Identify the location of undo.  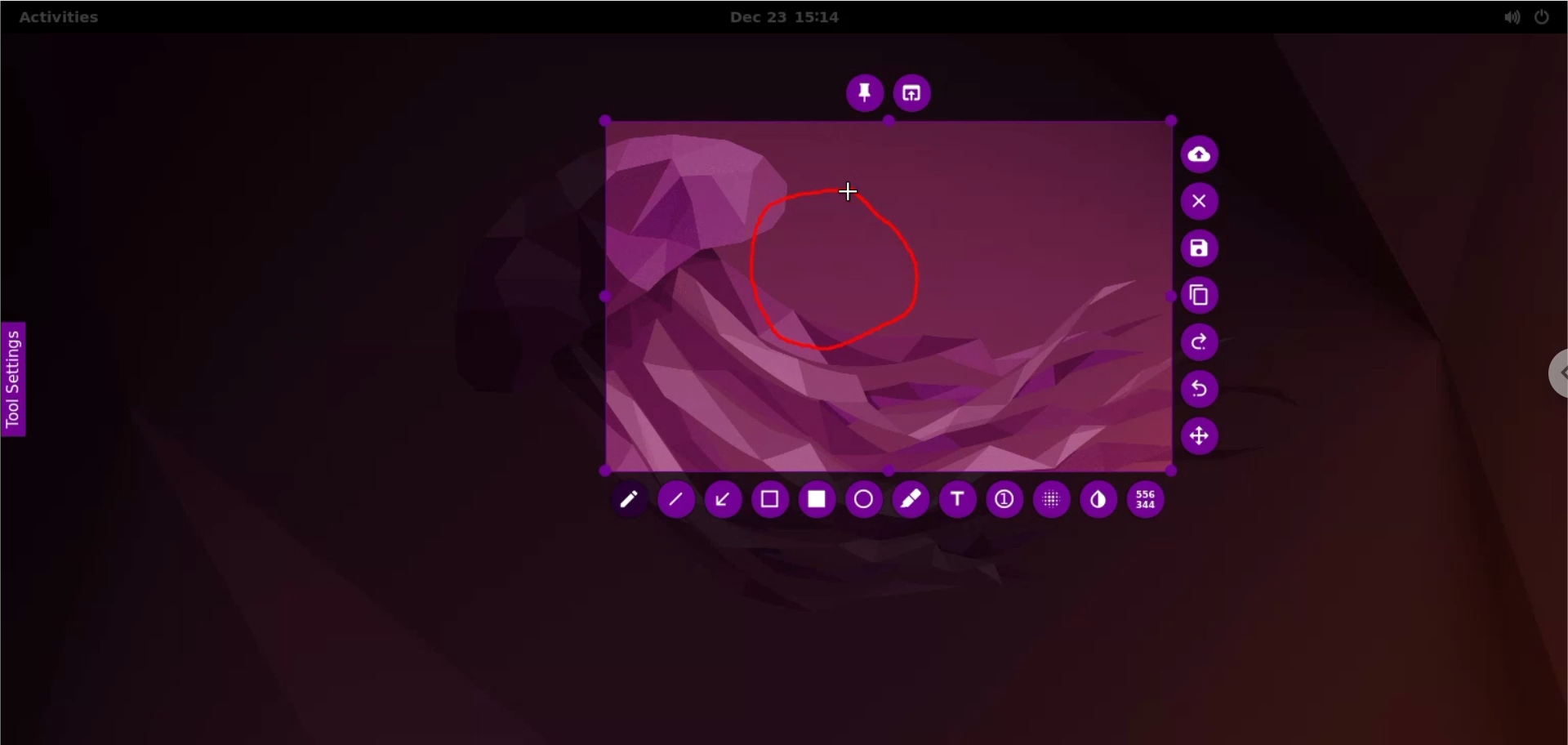
(1204, 390).